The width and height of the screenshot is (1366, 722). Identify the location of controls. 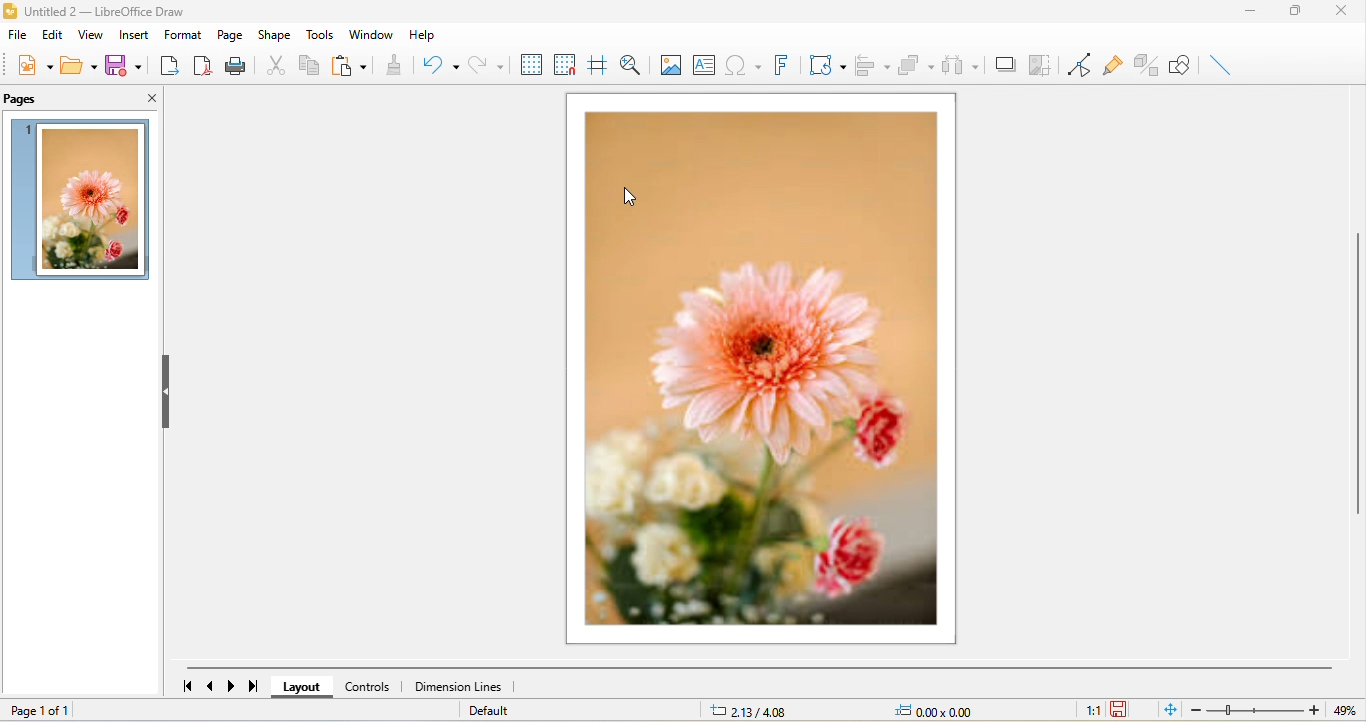
(372, 687).